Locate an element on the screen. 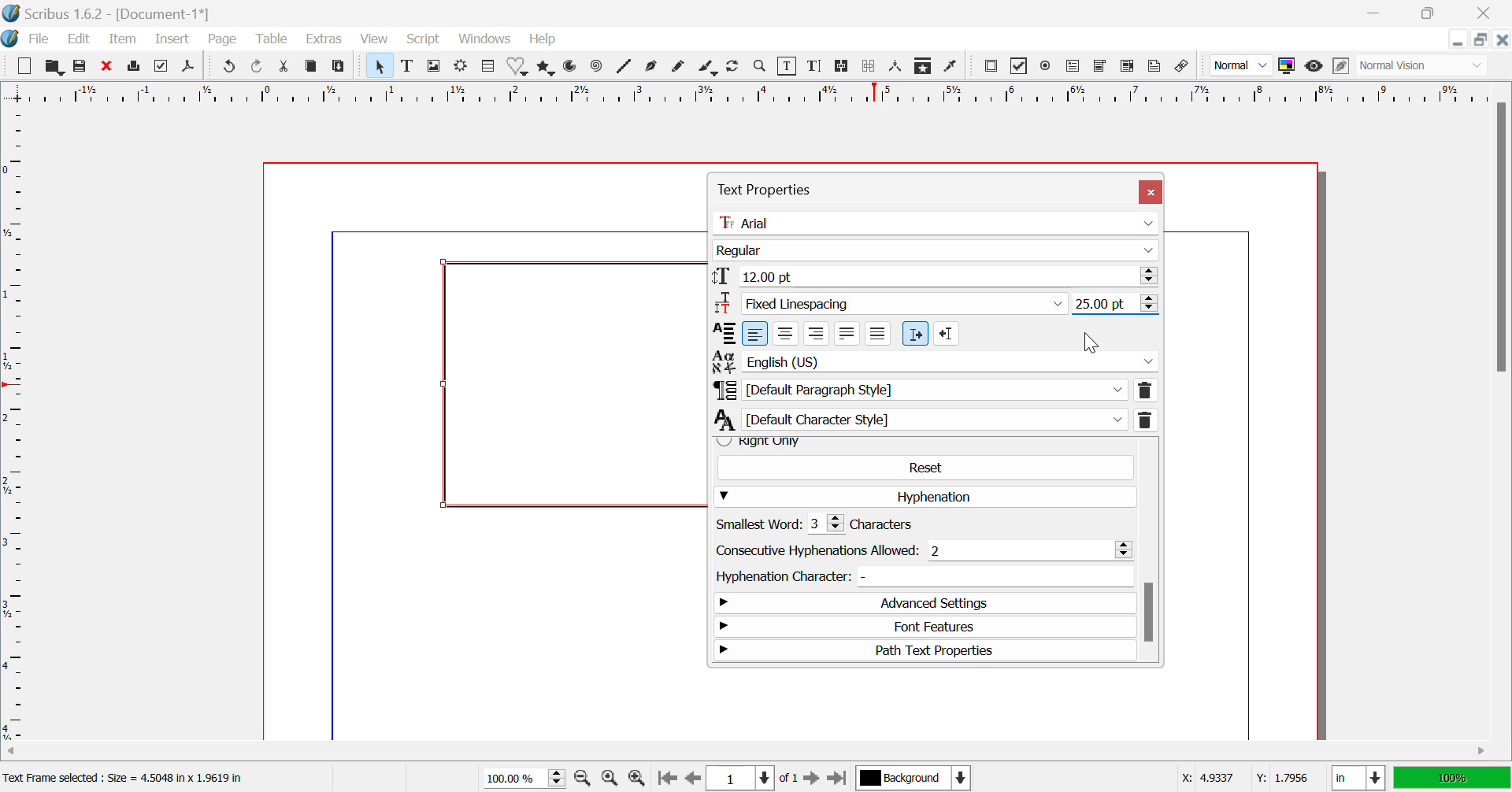 Image resolution: width=1512 pixels, height=792 pixels. Fixed Linespacing is located at coordinates (893, 305).